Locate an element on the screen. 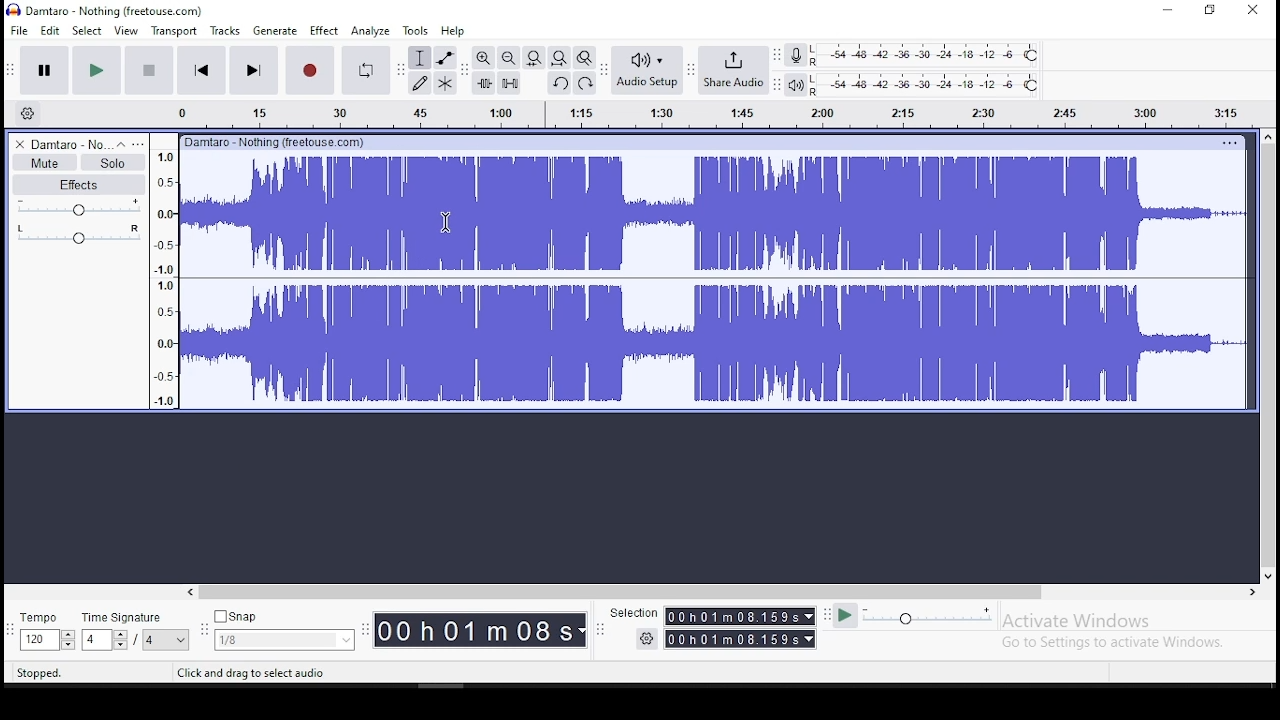   is located at coordinates (363, 632).